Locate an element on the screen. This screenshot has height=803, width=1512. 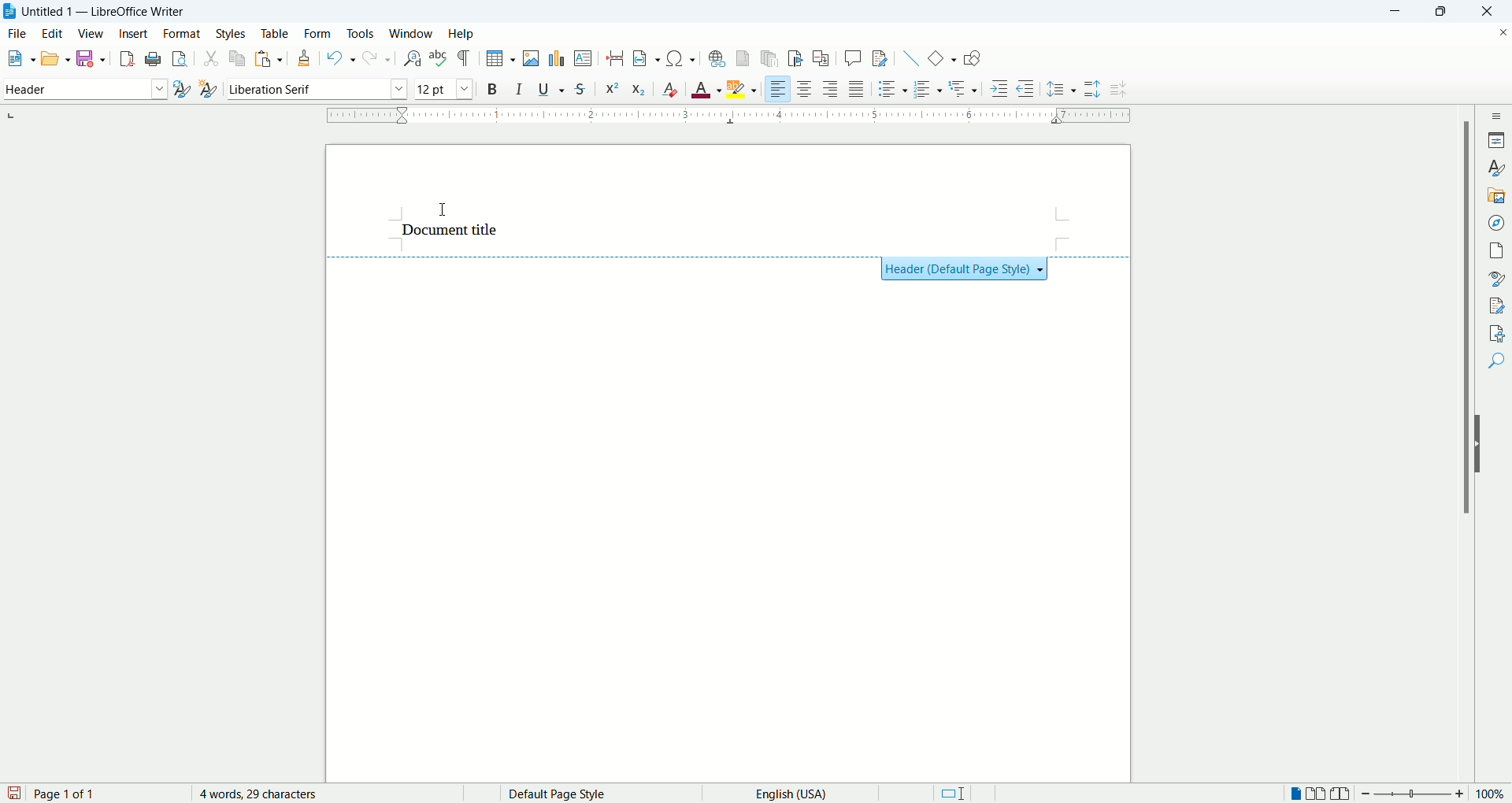
spell check is located at coordinates (438, 58).